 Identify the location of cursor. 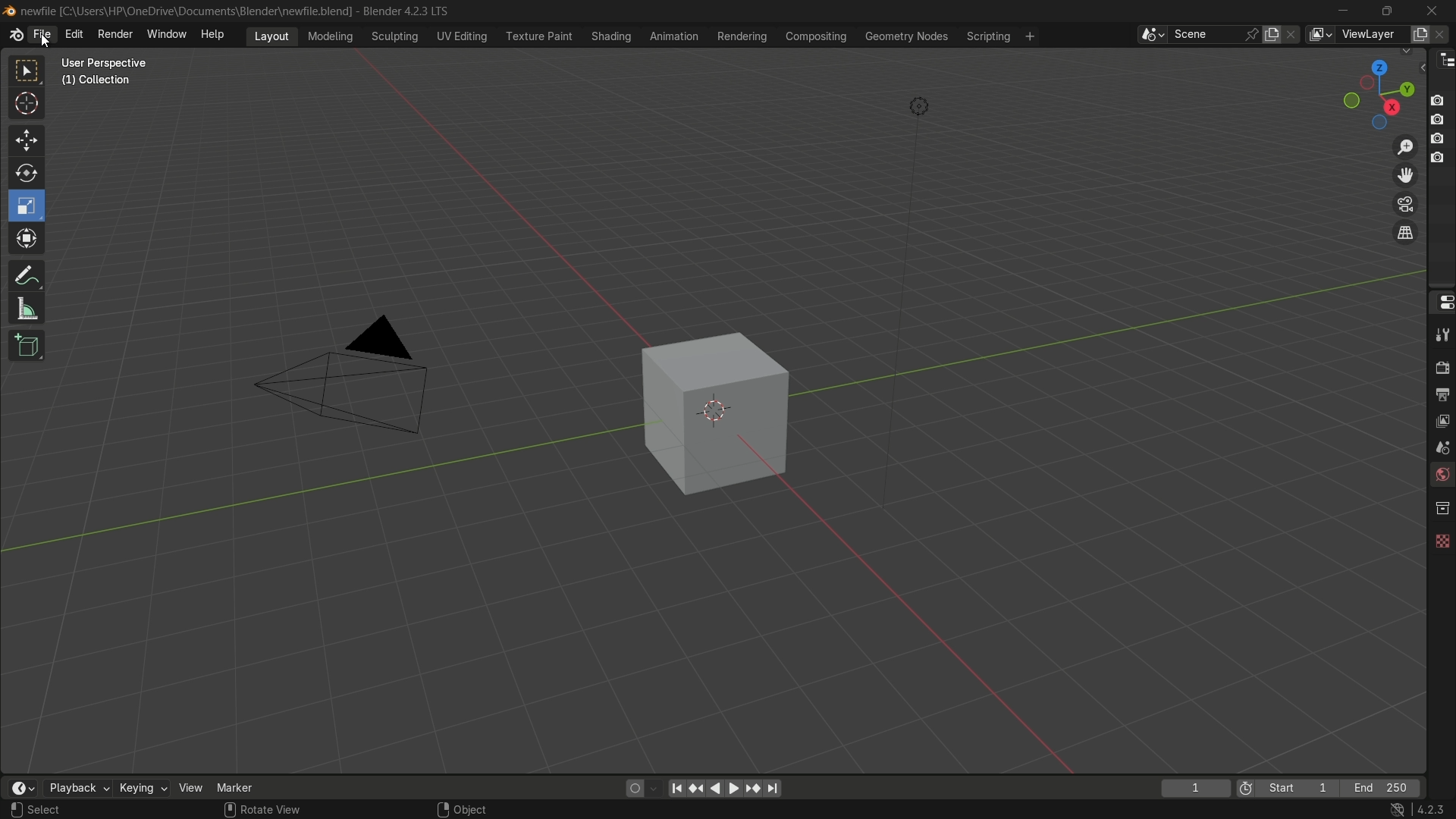
(27, 106).